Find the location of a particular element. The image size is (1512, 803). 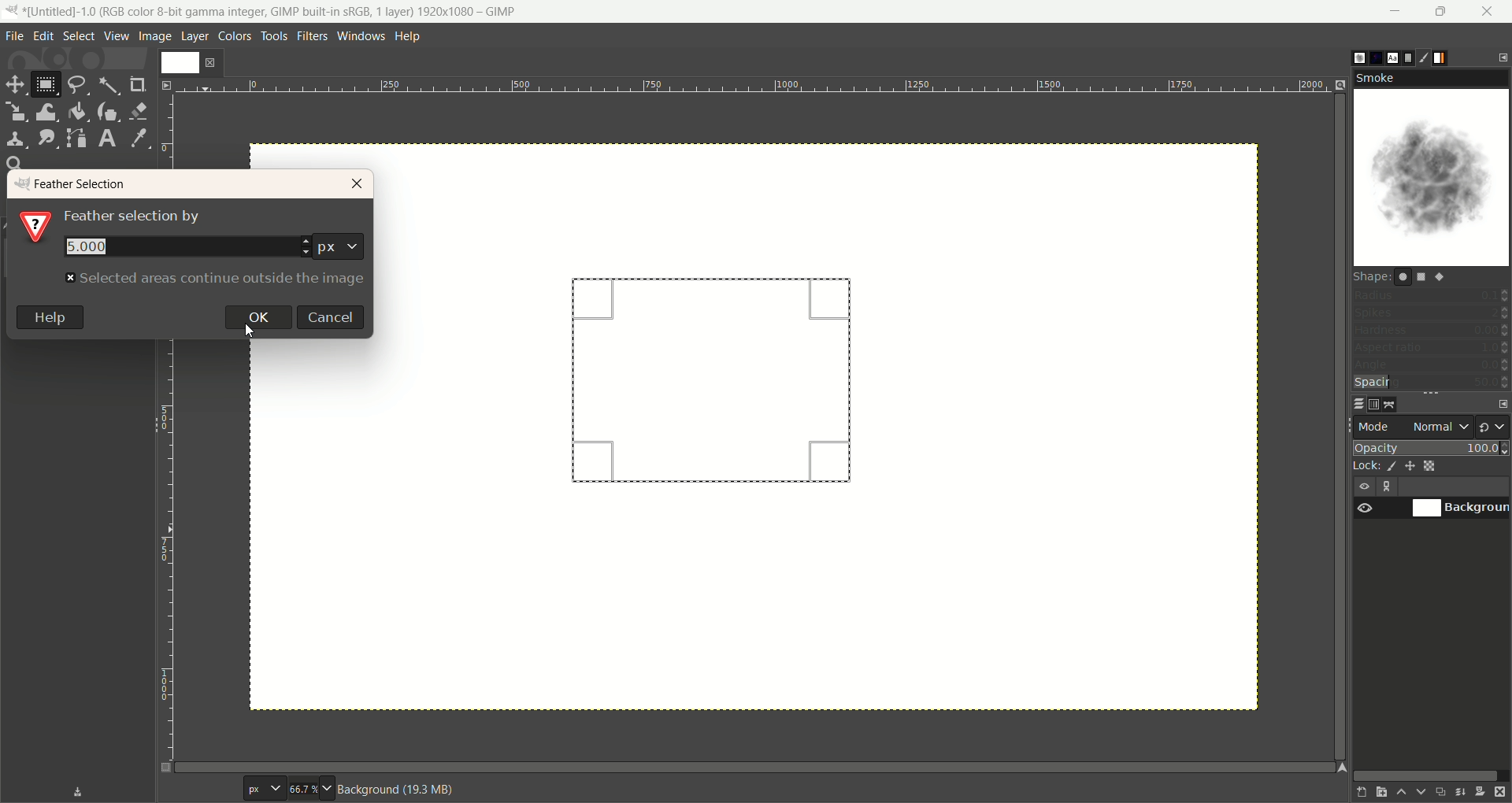

tools is located at coordinates (274, 35).